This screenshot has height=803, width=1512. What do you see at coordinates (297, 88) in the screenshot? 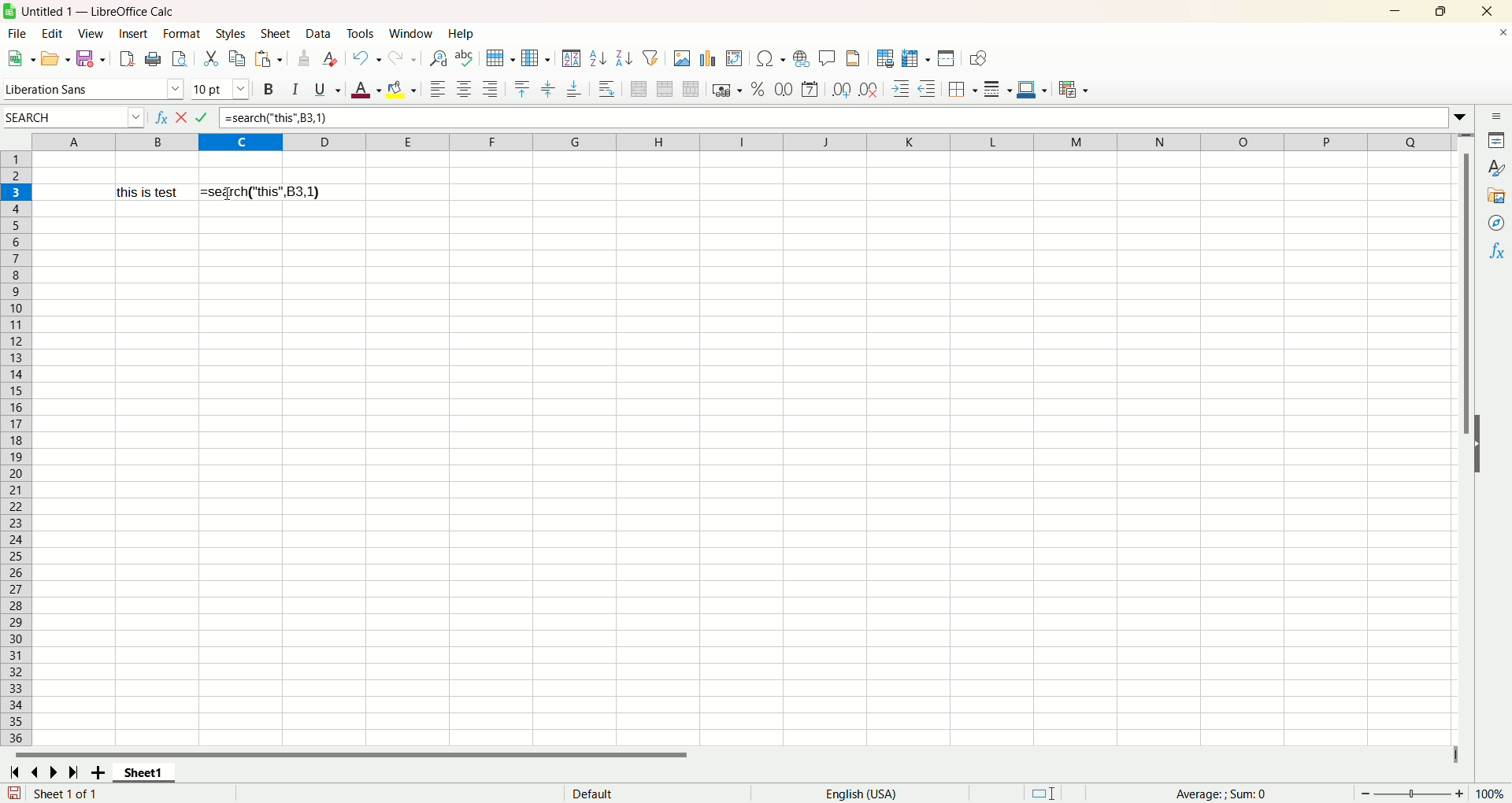
I see `italic` at bounding box center [297, 88].